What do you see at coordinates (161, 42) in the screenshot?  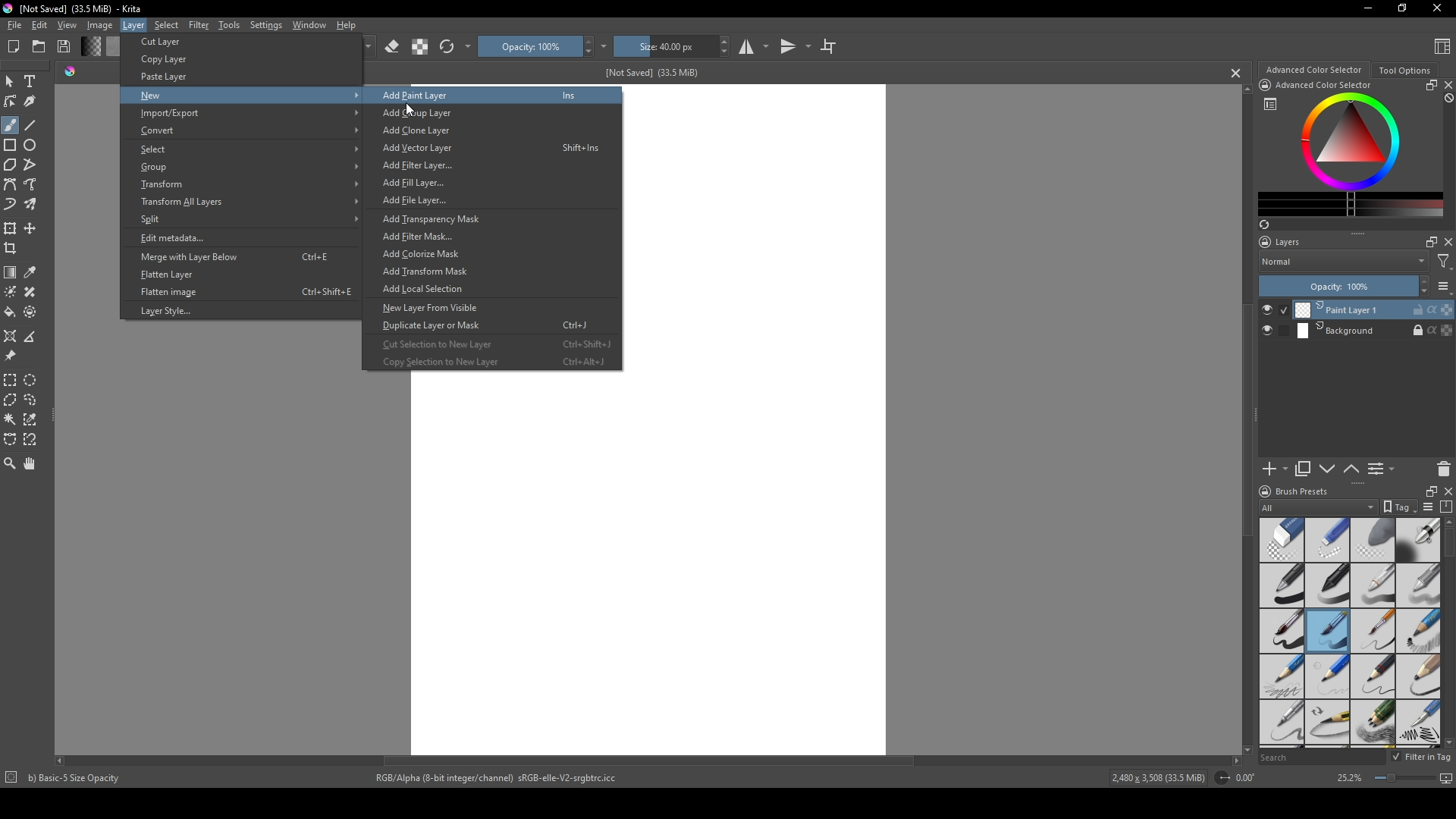 I see `Cut Layer` at bounding box center [161, 42].